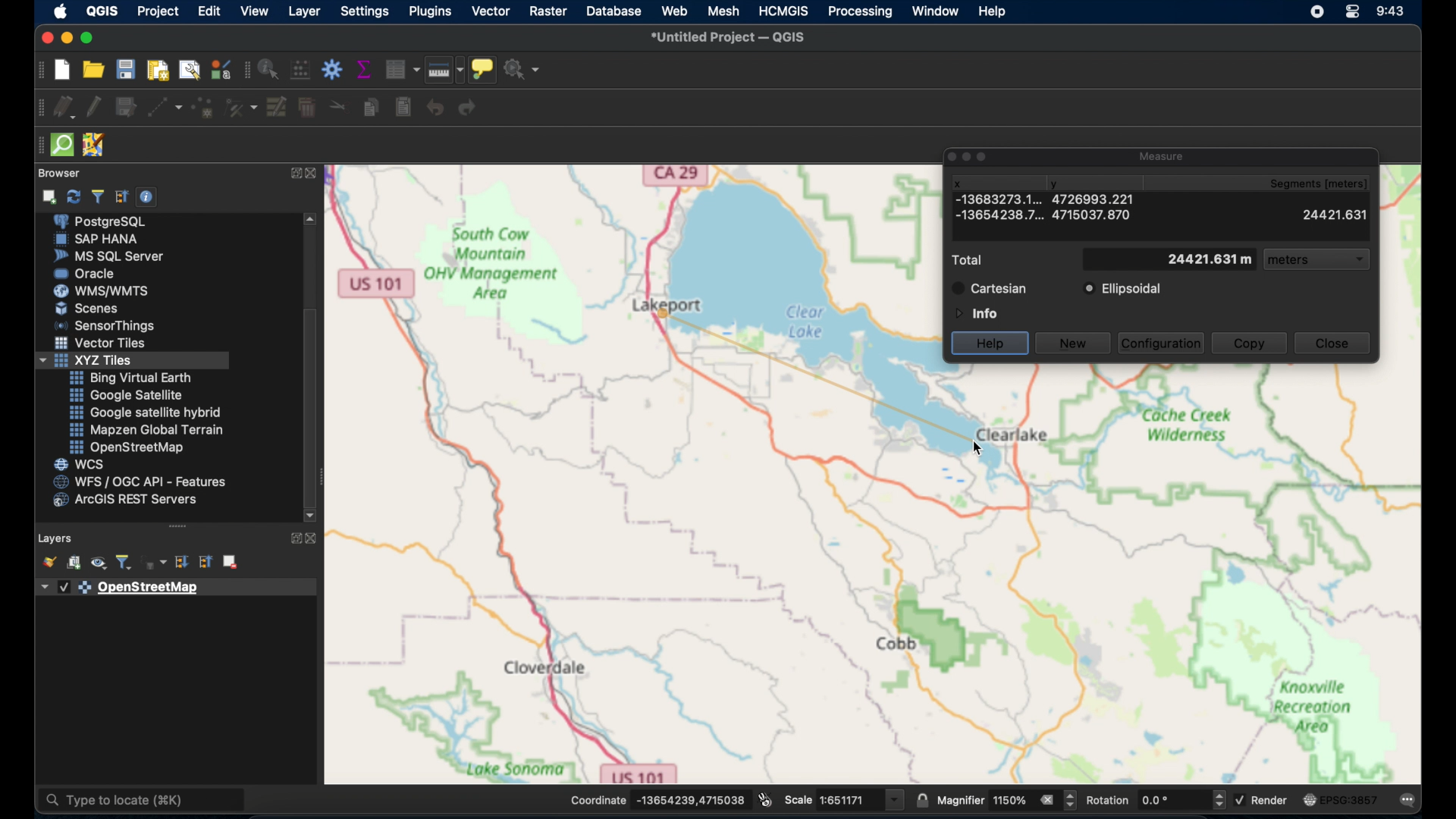  I want to click on scroll up arrow, so click(312, 218).